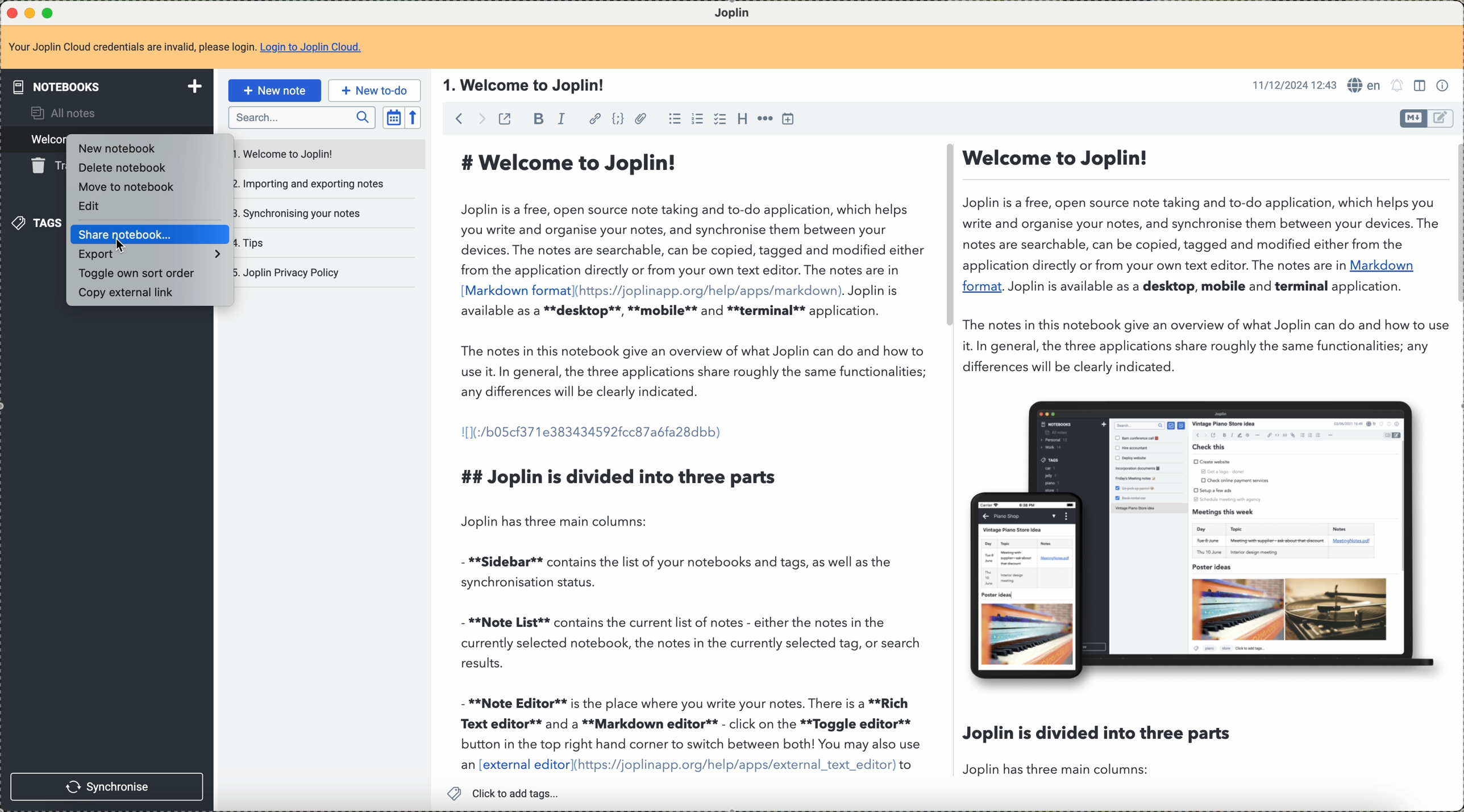  I want to click on click on share notebook, so click(151, 235).